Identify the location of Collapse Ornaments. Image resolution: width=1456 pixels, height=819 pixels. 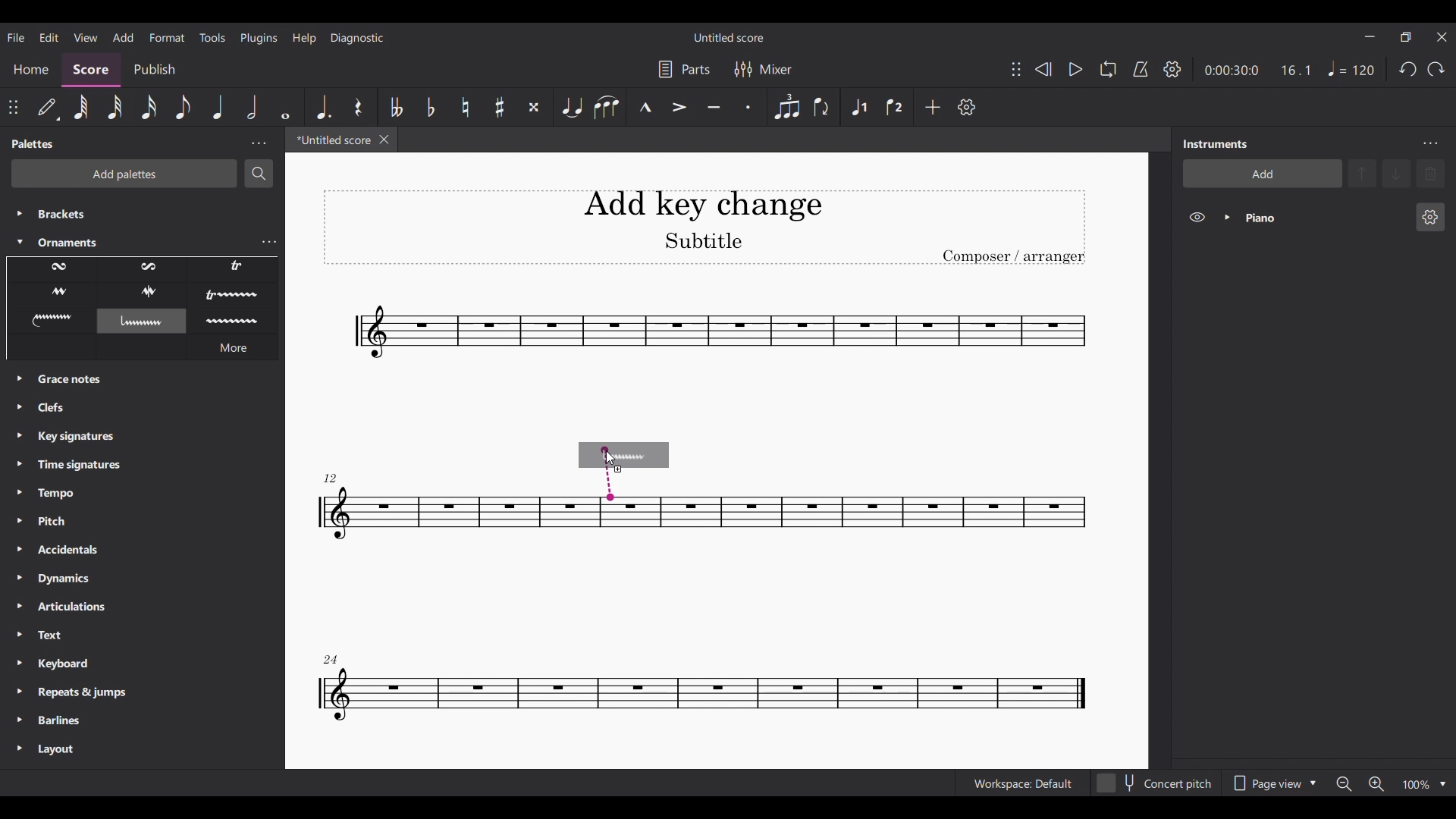
(20, 242).